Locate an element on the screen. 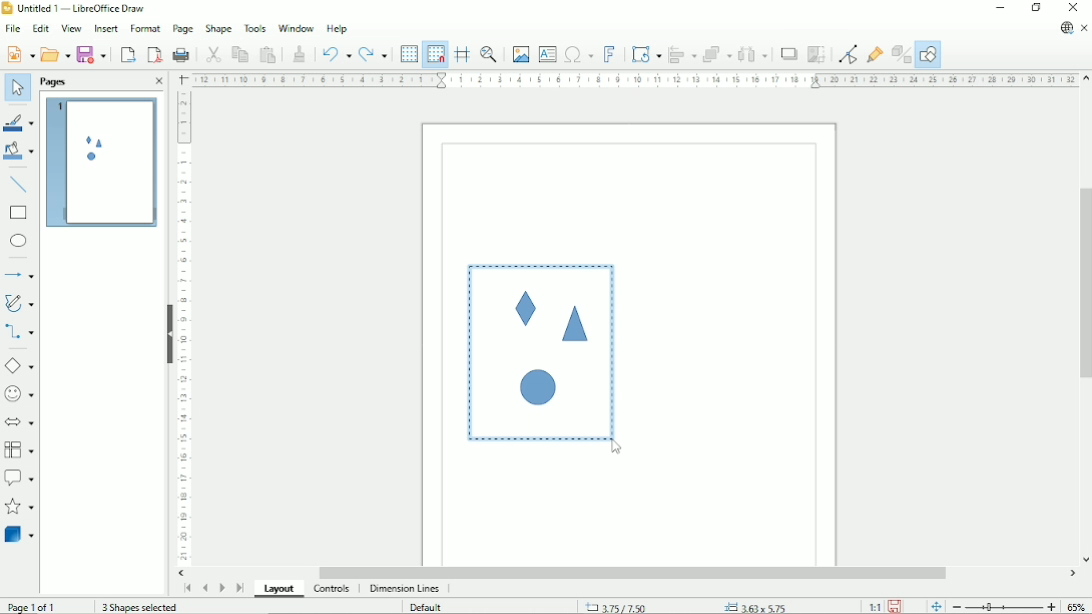 This screenshot has width=1092, height=614. Distribute is located at coordinates (753, 54).